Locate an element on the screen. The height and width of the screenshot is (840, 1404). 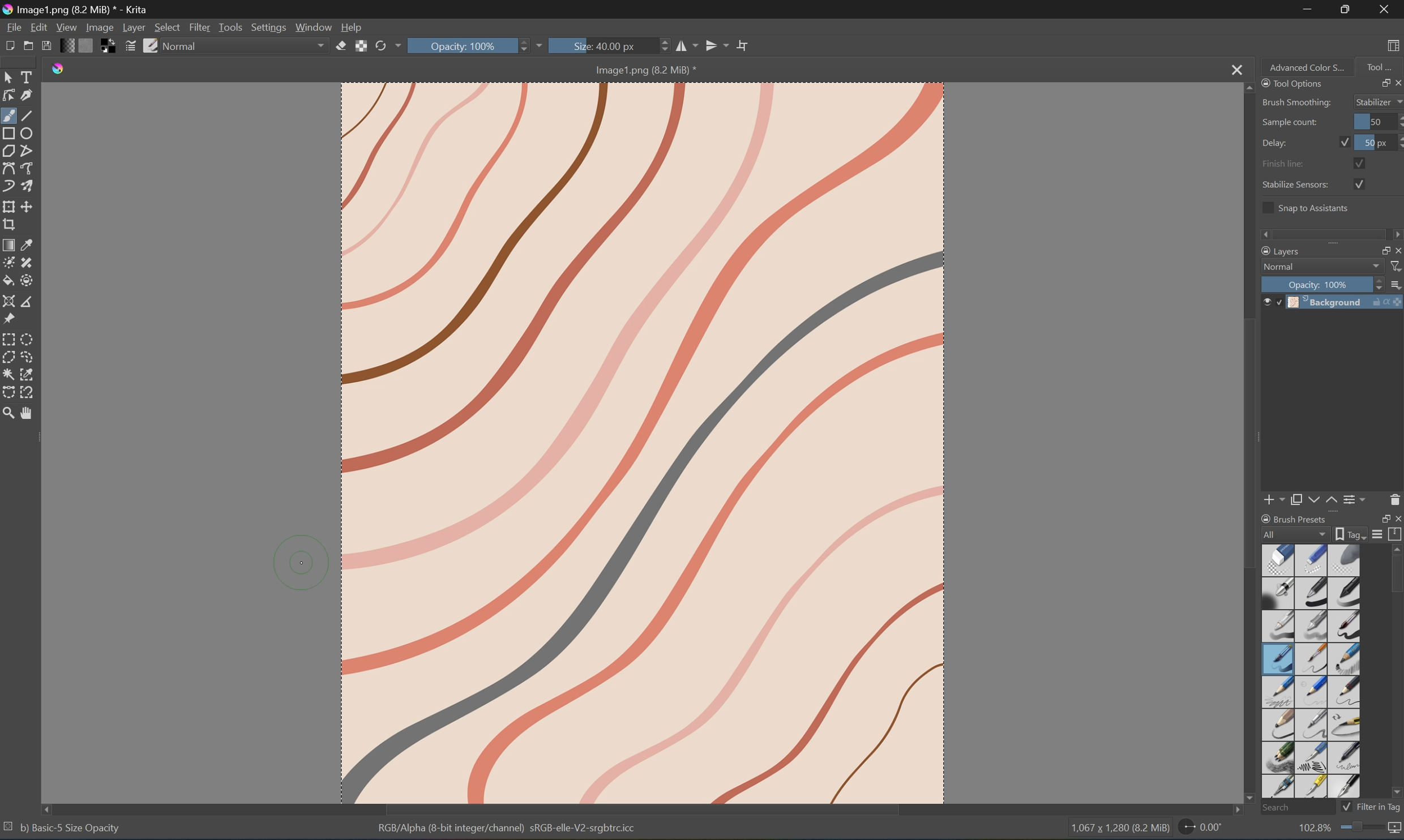
No selection is located at coordinates (9, 829).